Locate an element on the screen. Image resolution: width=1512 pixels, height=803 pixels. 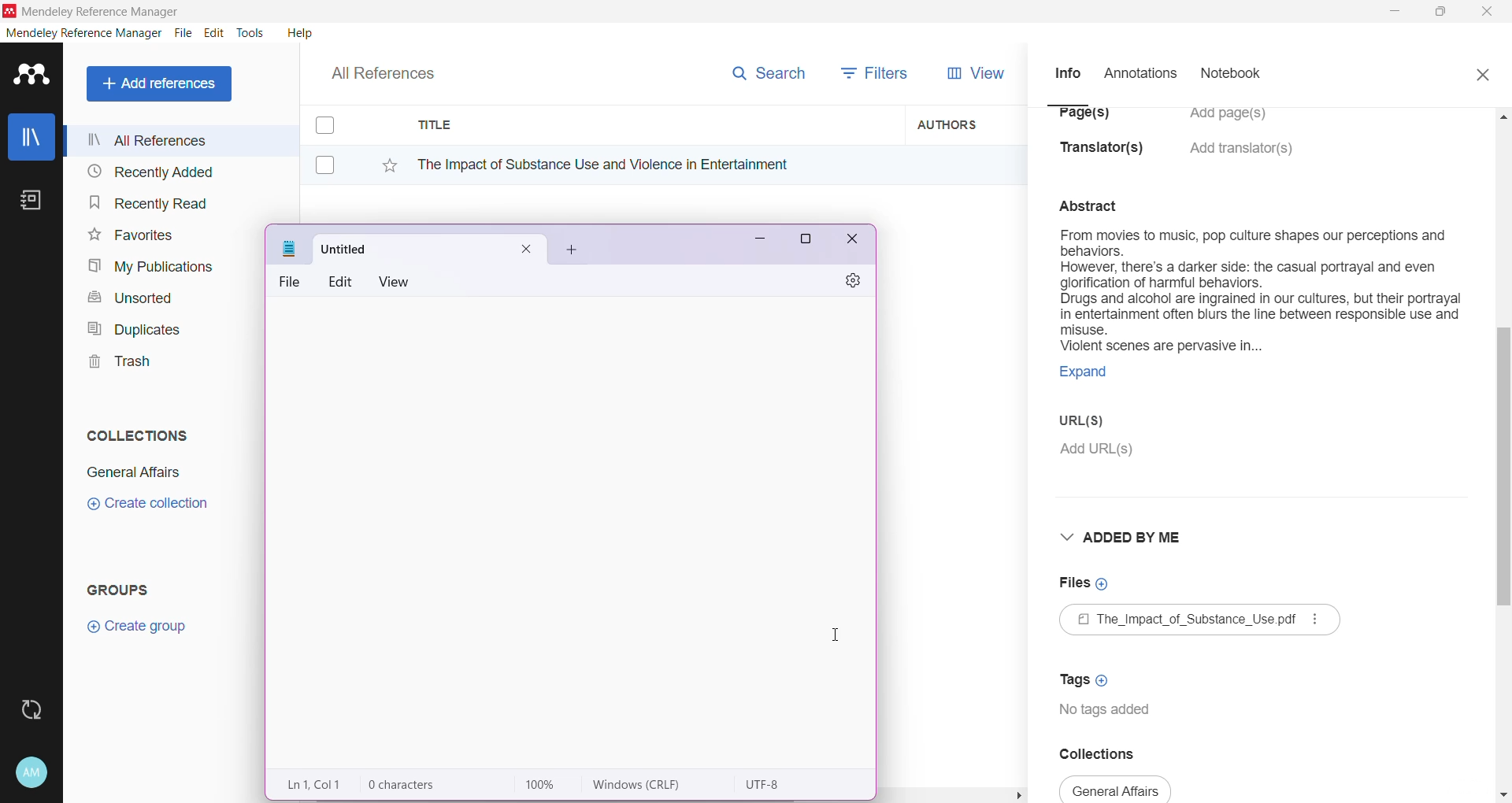
URL(S) is located at coordinates (1093, 423).